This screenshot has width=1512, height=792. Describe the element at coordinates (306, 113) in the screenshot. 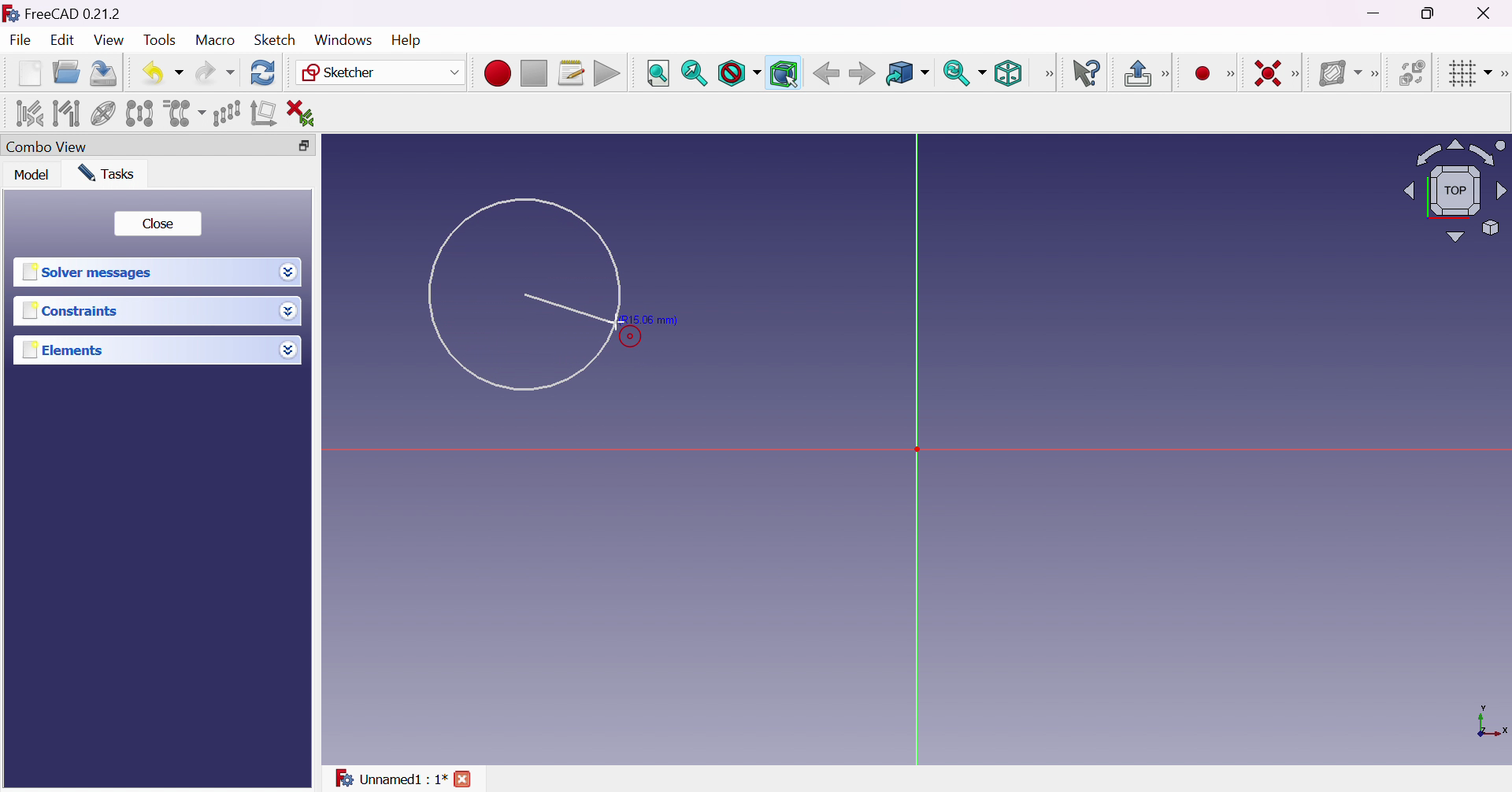

I see `Delete all constraints` at that location.